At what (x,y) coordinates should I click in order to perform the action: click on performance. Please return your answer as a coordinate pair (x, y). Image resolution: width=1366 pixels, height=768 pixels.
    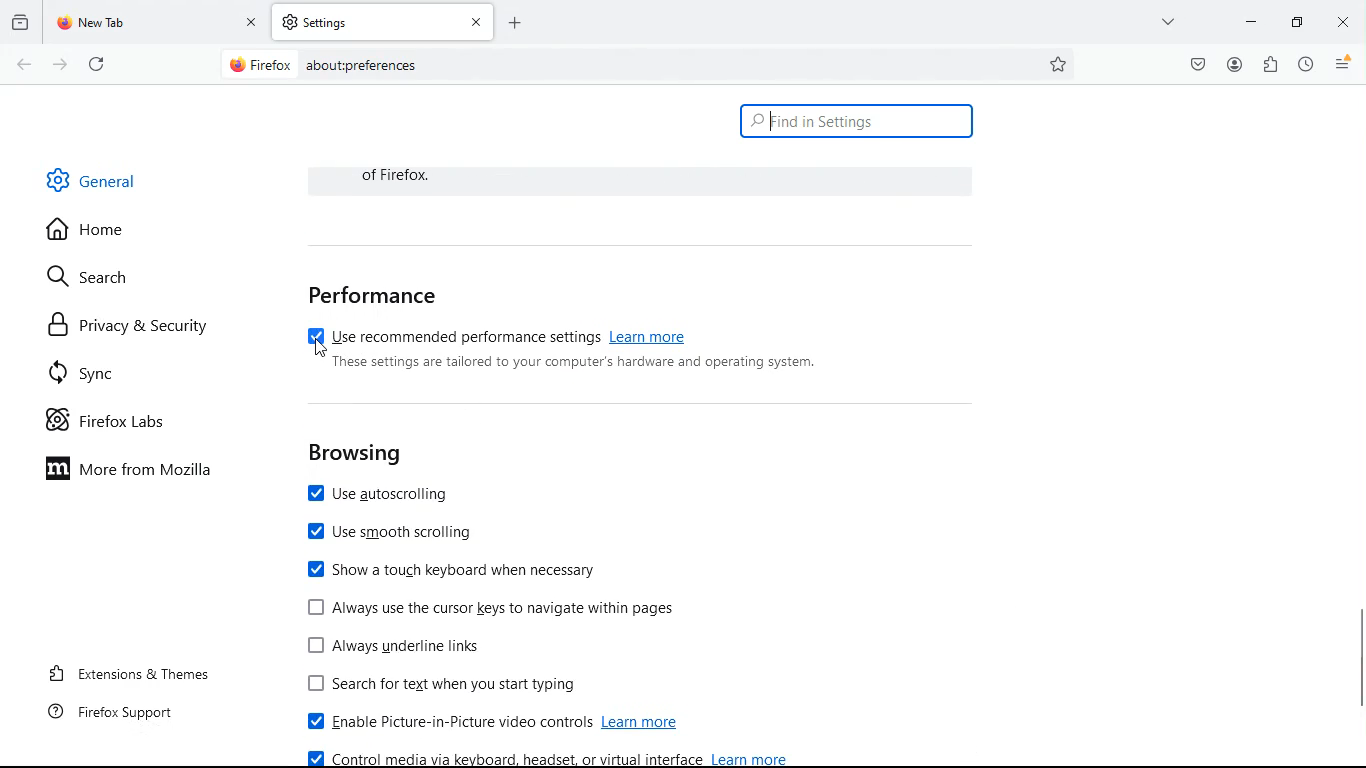
    Looking at the image, I should click on (374, 295).